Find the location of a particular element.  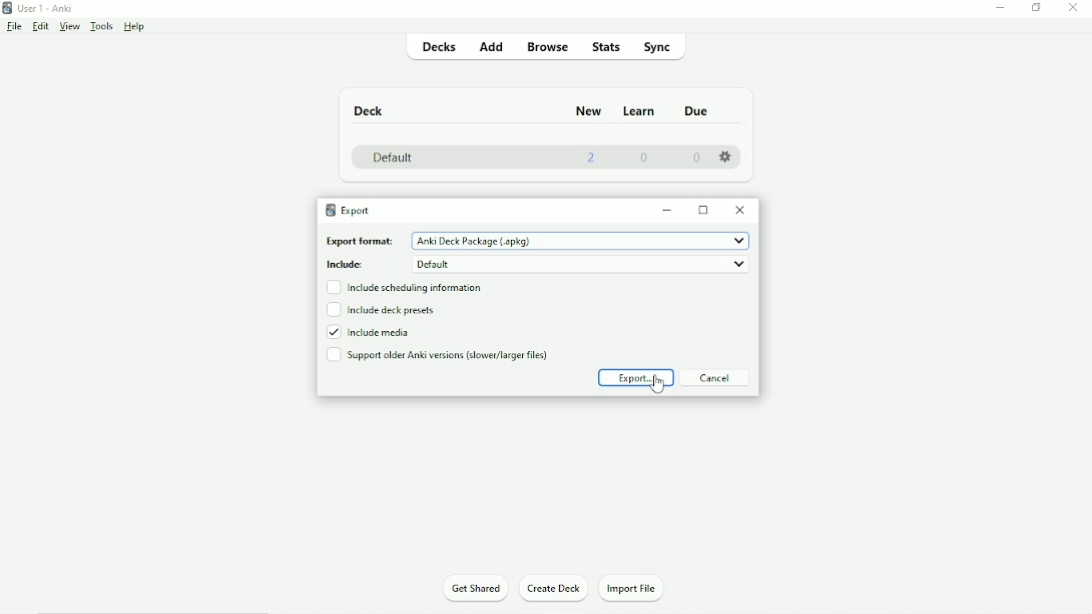

Include scheduling information is located at coordinates (407, 288).